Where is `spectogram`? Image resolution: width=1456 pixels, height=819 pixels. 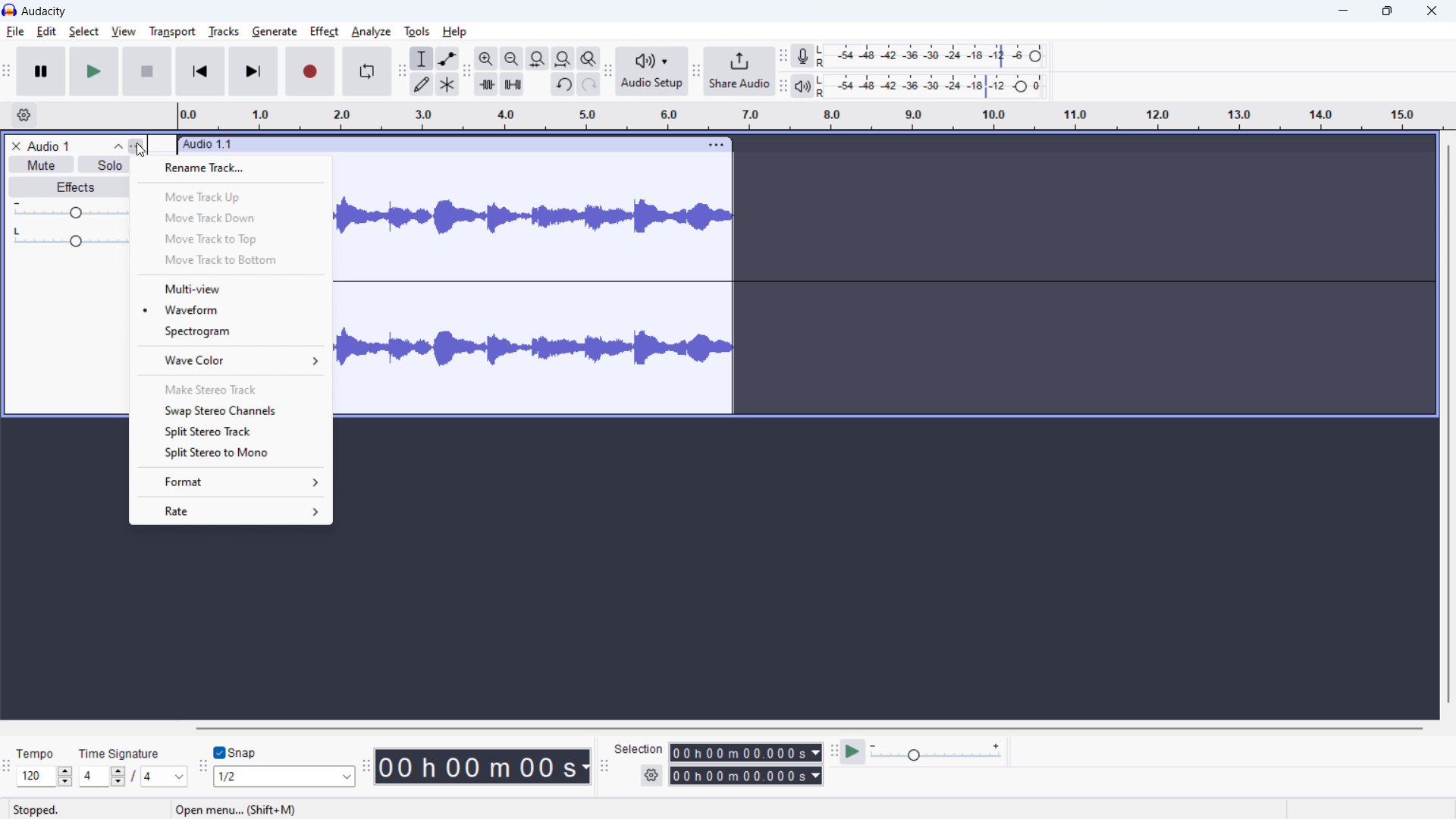
spectogram is located at coordinates (231, 331).